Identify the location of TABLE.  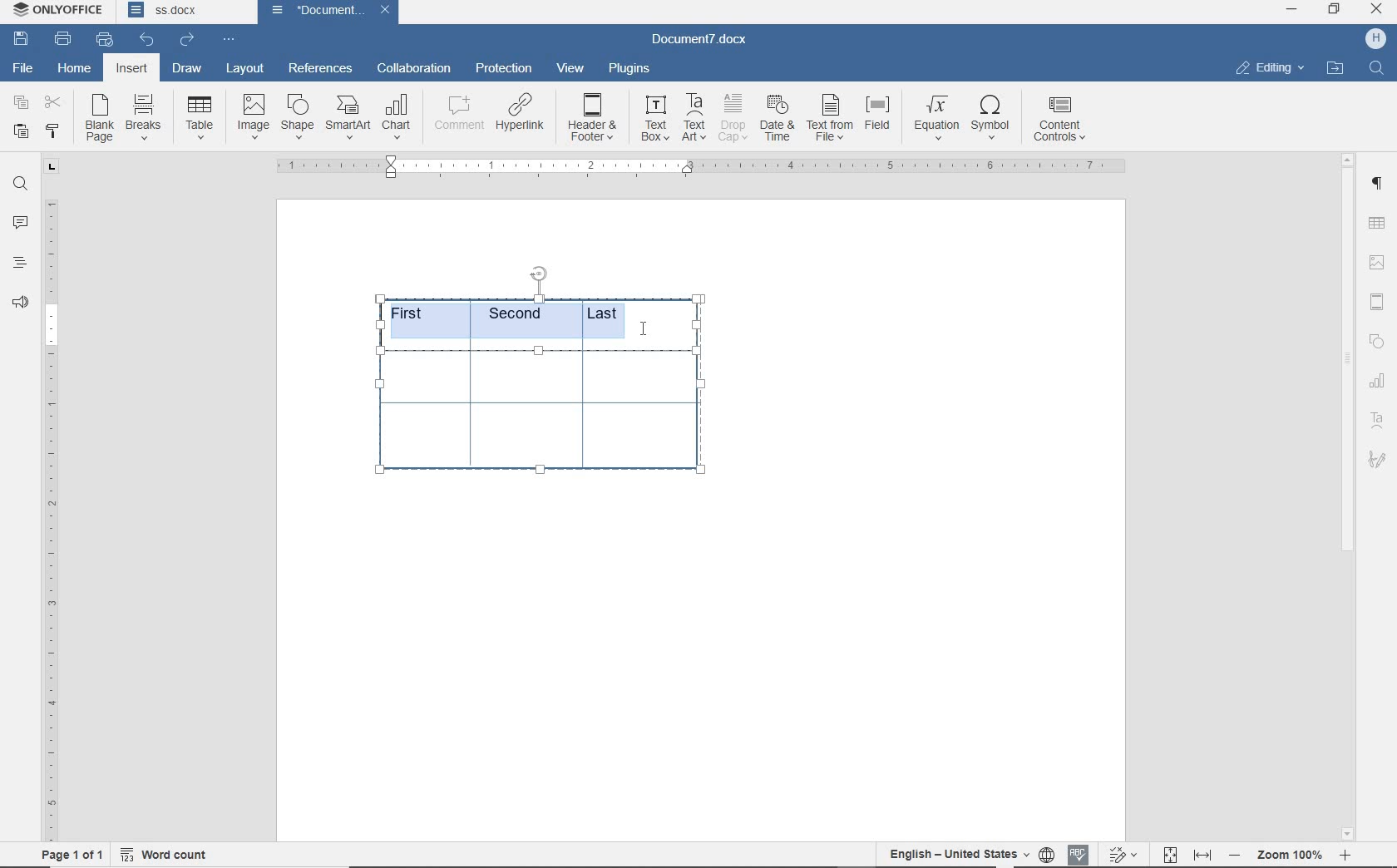
(1379, 382).